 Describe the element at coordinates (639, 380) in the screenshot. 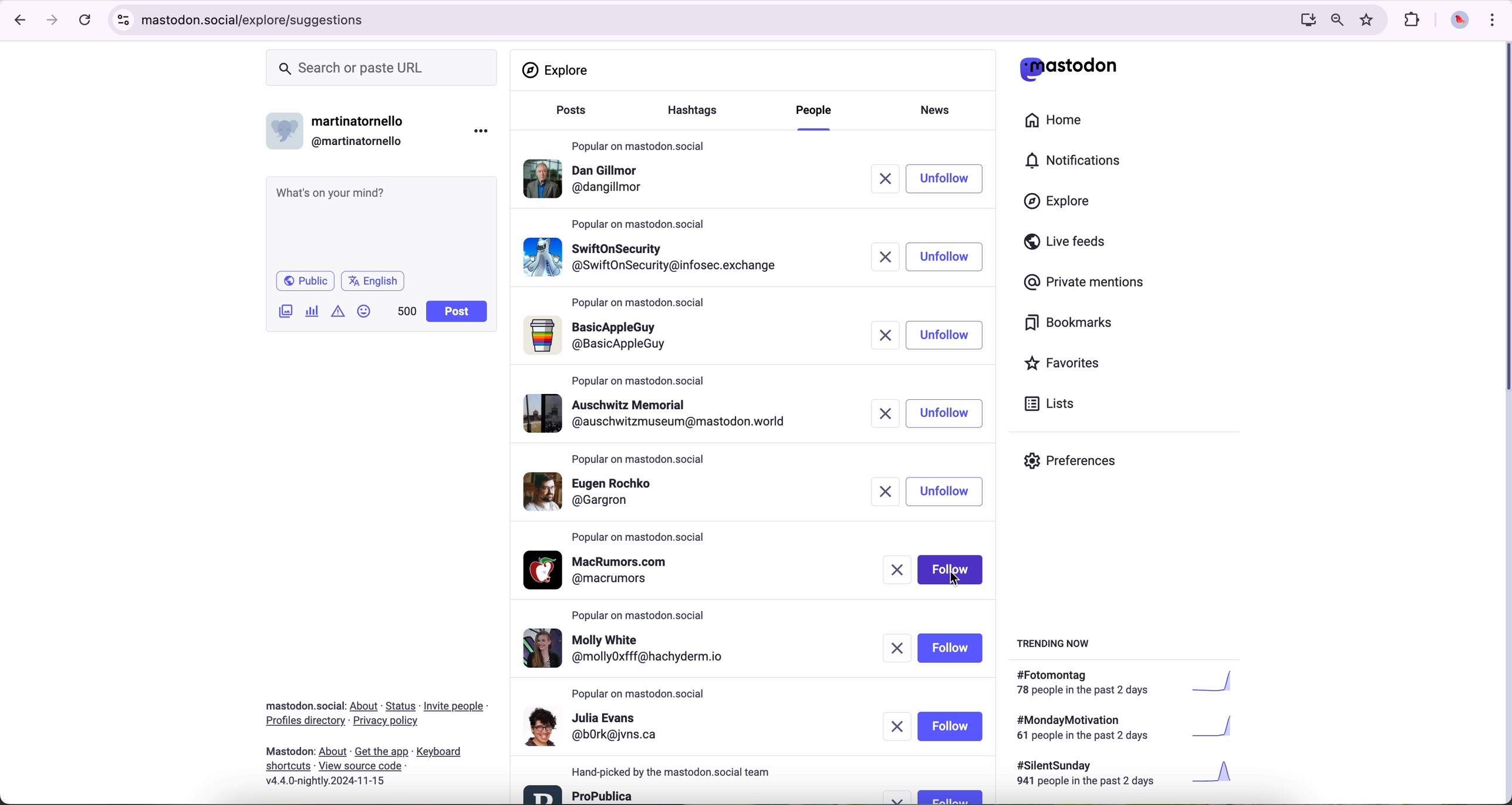

I see `popular` at that location.